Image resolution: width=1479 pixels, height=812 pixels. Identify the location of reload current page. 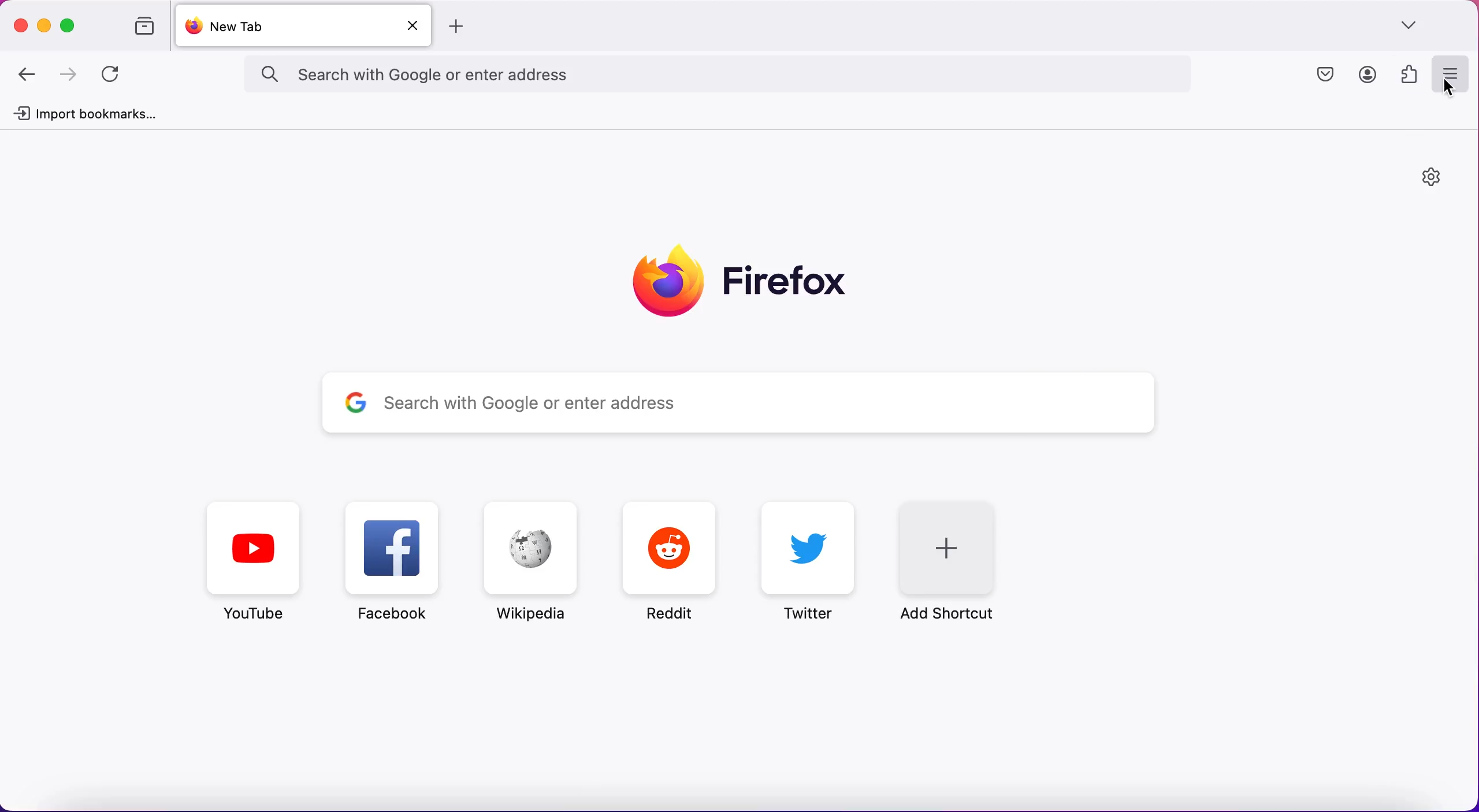
(114, 75).